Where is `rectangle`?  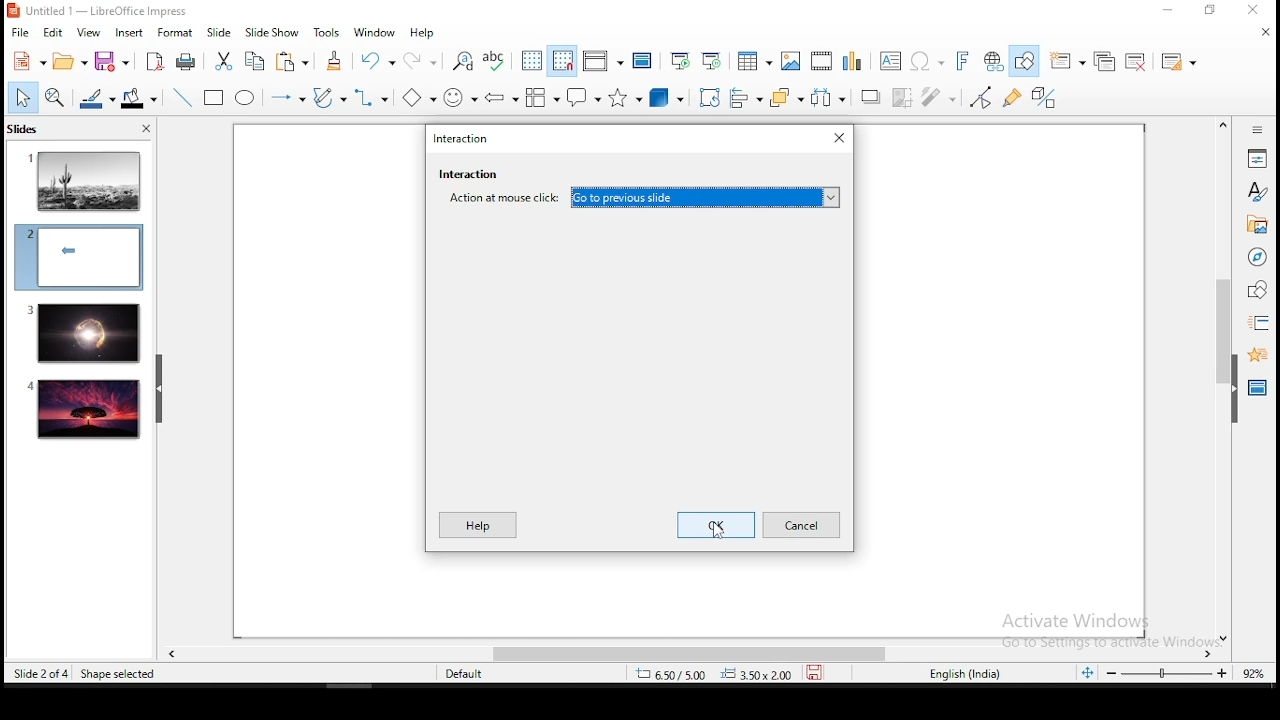 rectangle is located at coordinates (215, 99).